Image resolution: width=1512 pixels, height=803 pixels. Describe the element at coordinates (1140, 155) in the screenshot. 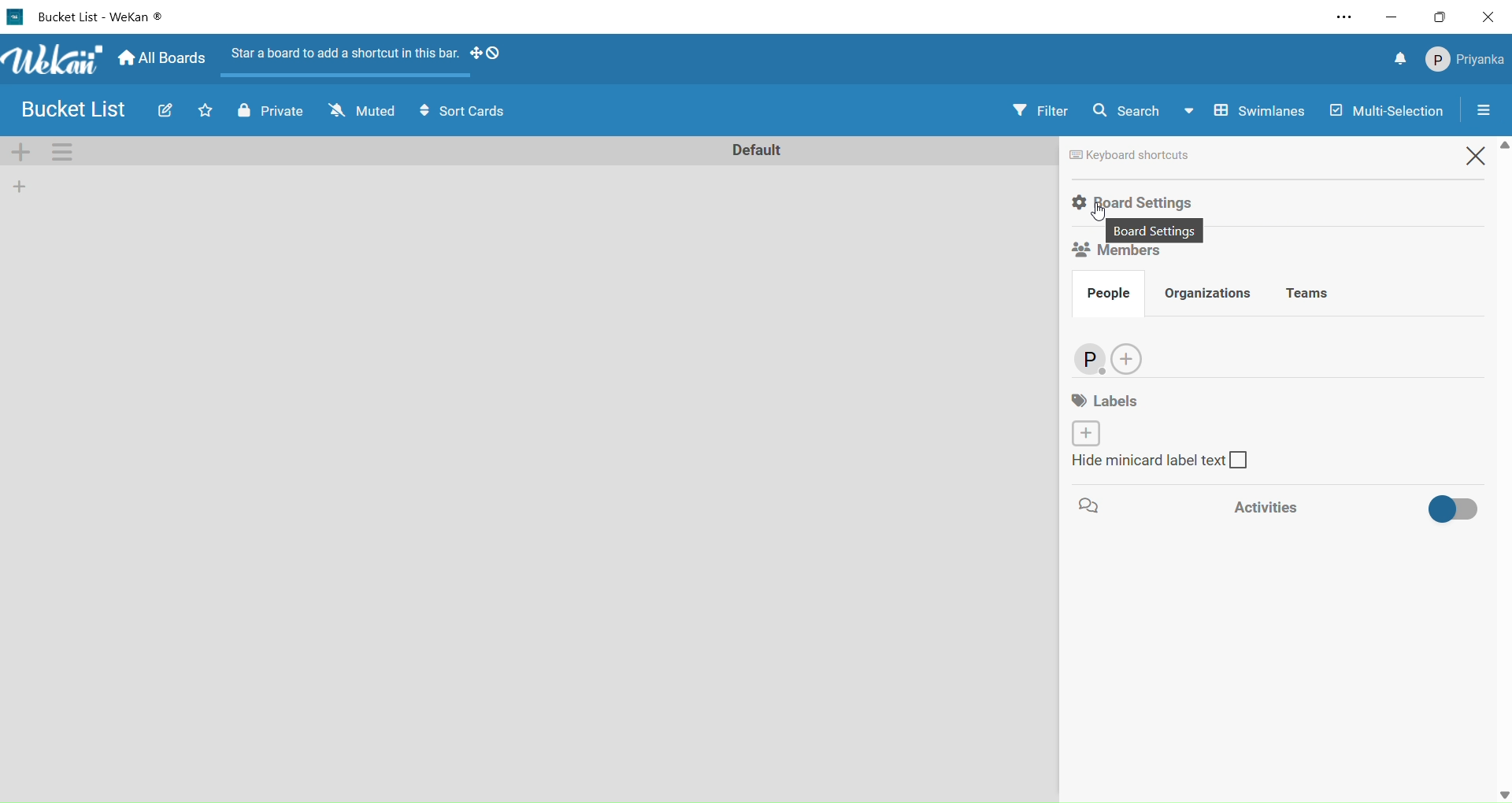

I see `keyboard shortcuts` at that location.